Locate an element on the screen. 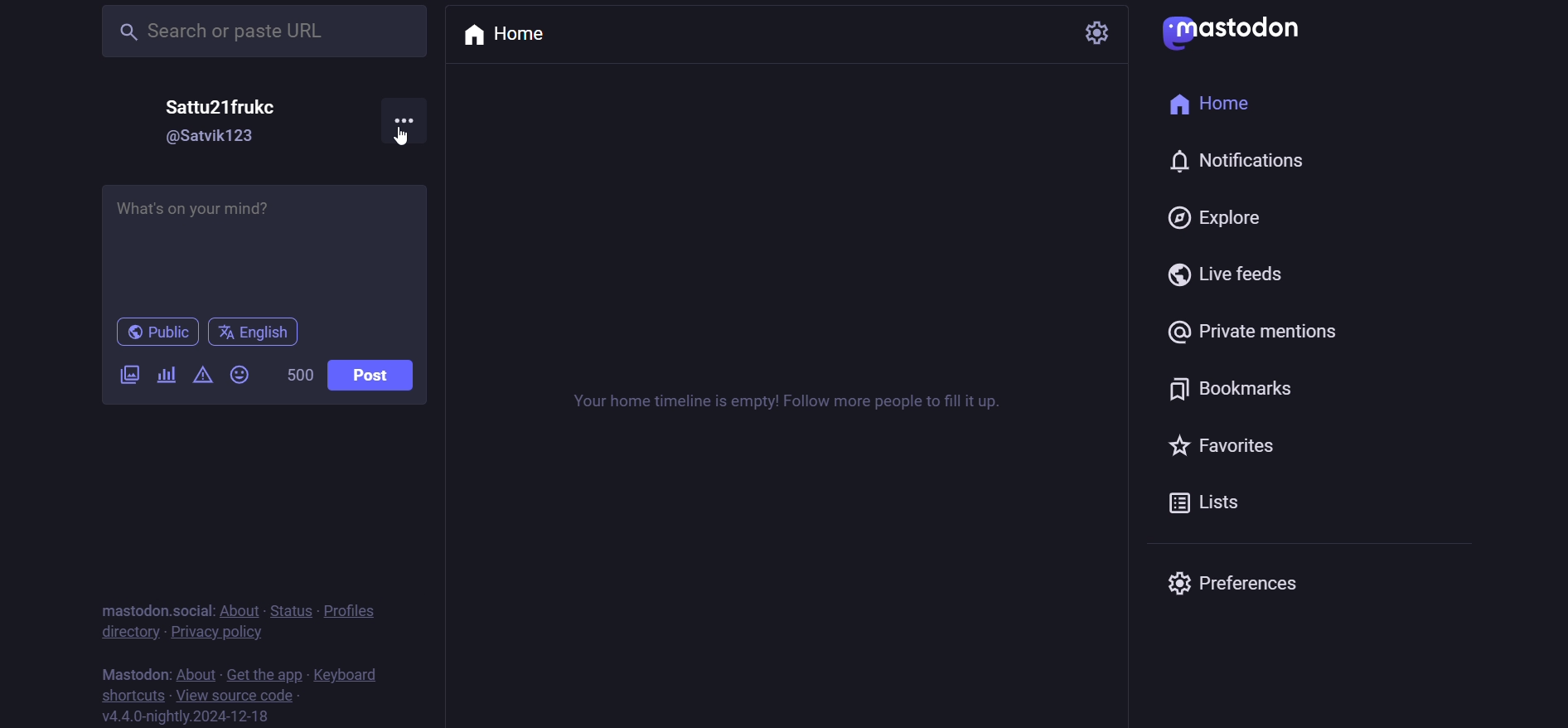 The width and height of the screenshot is (1568, 728). about is located at coordinates (195, 672).